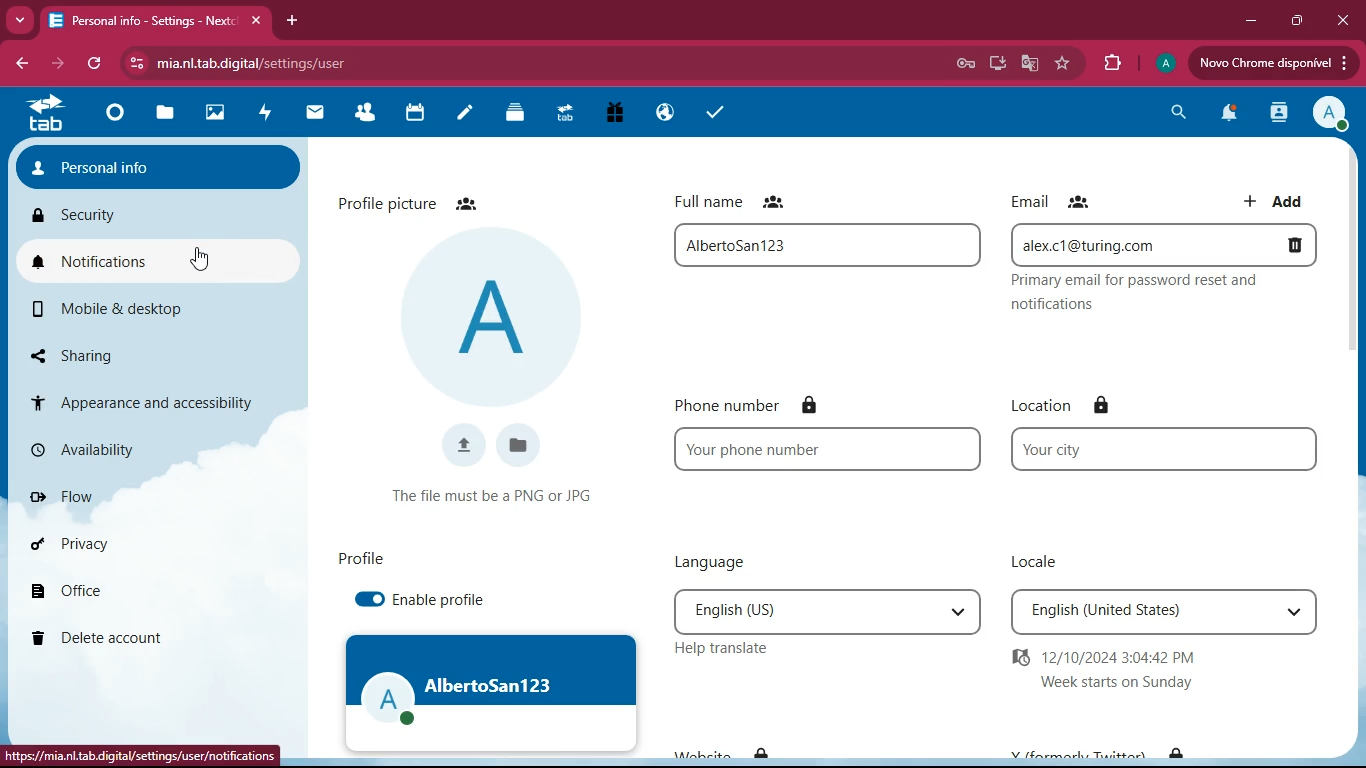 Image resolution: width=1366 pixels, height=768 pixels. What do you see at coordinates (292, 20) in the screenshot?
I see `add tab` at bounding box center [292, 20].